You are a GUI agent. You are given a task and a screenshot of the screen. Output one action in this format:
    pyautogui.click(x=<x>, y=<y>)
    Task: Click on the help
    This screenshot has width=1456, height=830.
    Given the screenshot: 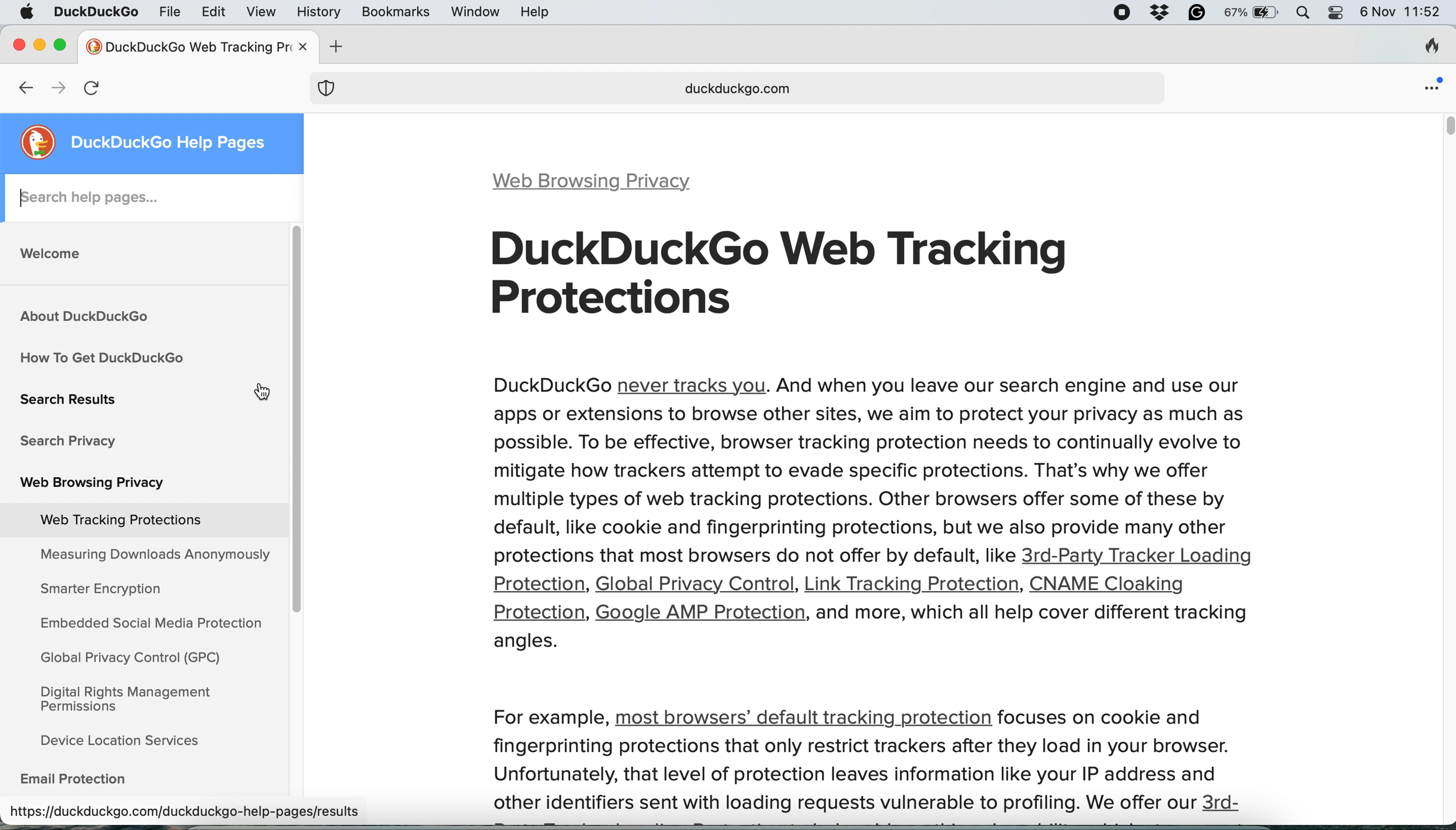 What is the action you would take?
    pyautogui.click(x=535, y=12)
    